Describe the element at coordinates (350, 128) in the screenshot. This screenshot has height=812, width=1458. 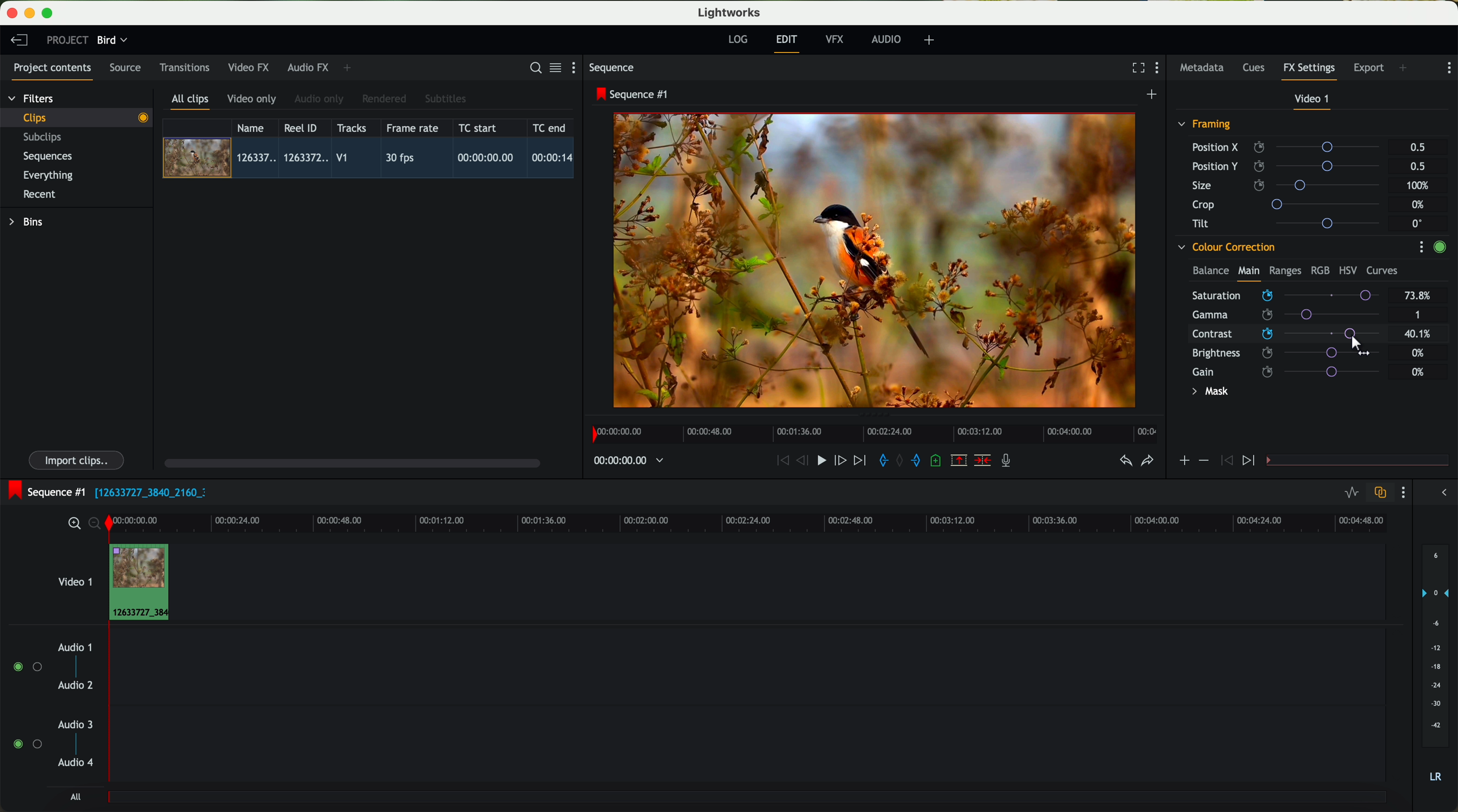
I see `tracks` at that location.